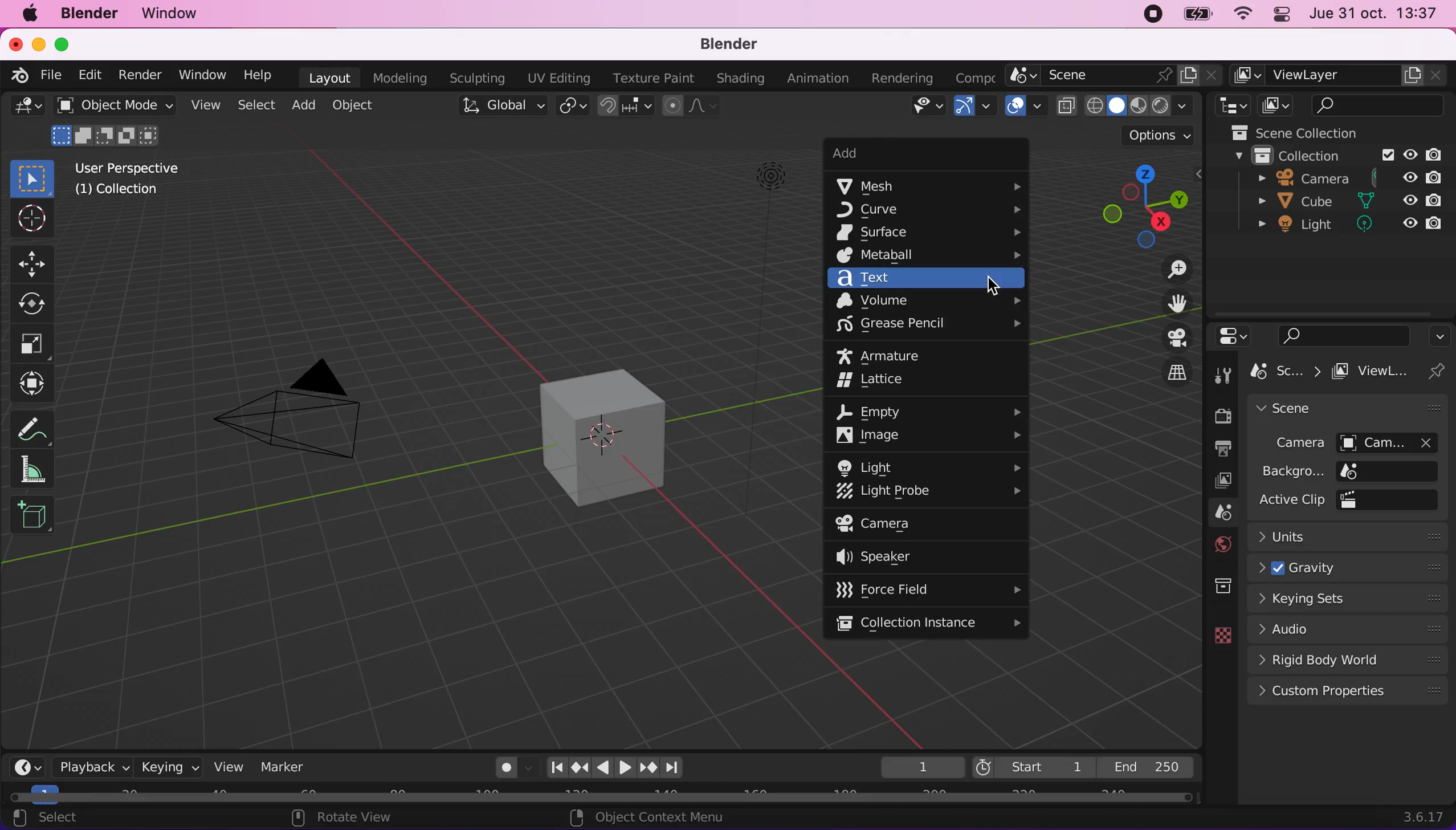 Image resolution: width=1456 pixels, height=830 pixels. What do you see at coordinates (360, 107) in the screenshot?
I see `object` at bounding box center [360, 107].